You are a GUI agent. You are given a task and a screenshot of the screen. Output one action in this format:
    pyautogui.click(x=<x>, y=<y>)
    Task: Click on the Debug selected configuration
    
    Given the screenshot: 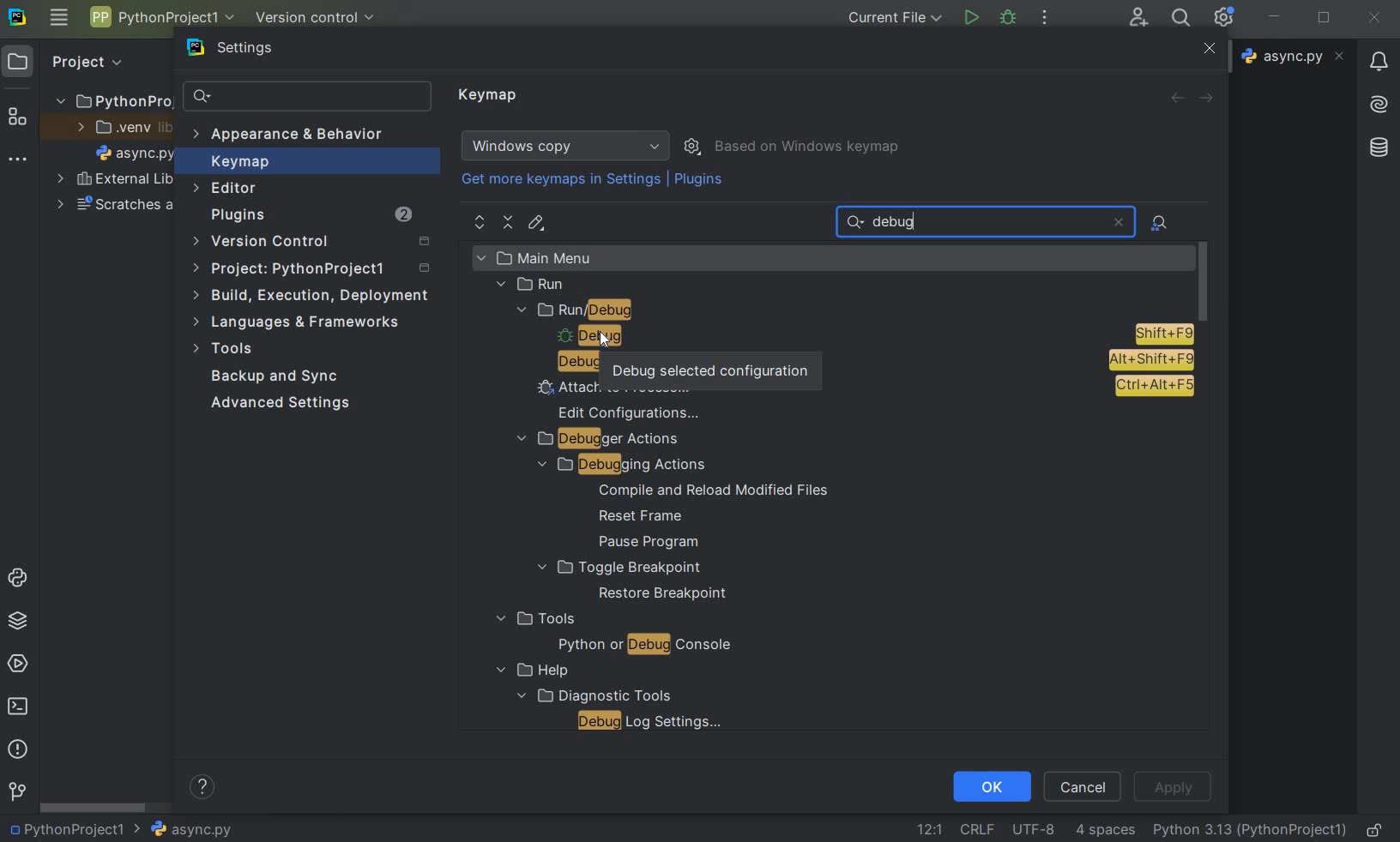 What is the action you would take?
    pyautogui.click(x=709, y=366)
    